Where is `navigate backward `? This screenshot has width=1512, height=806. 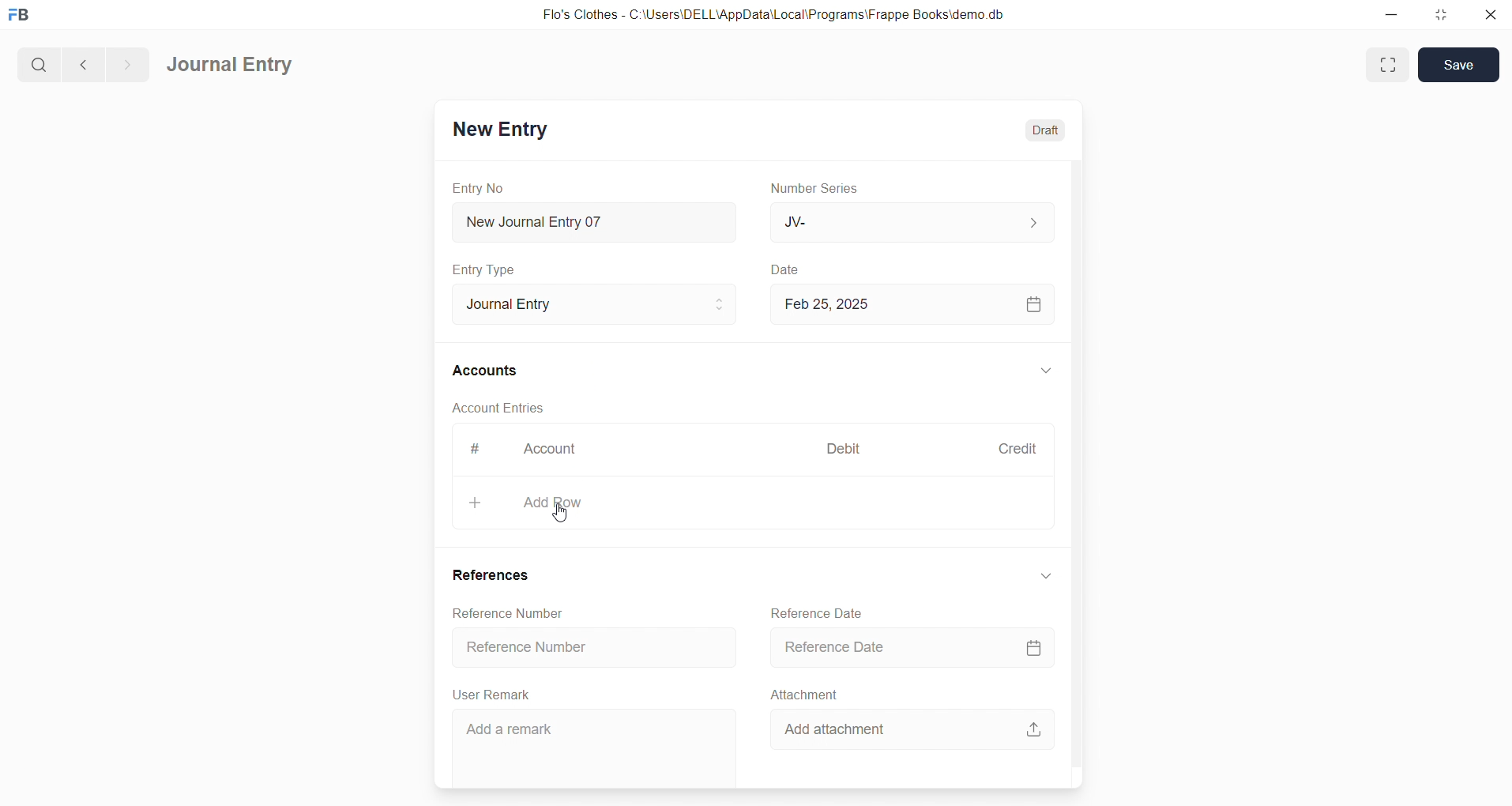
navigate backward  is located at coordinates (81, 62).